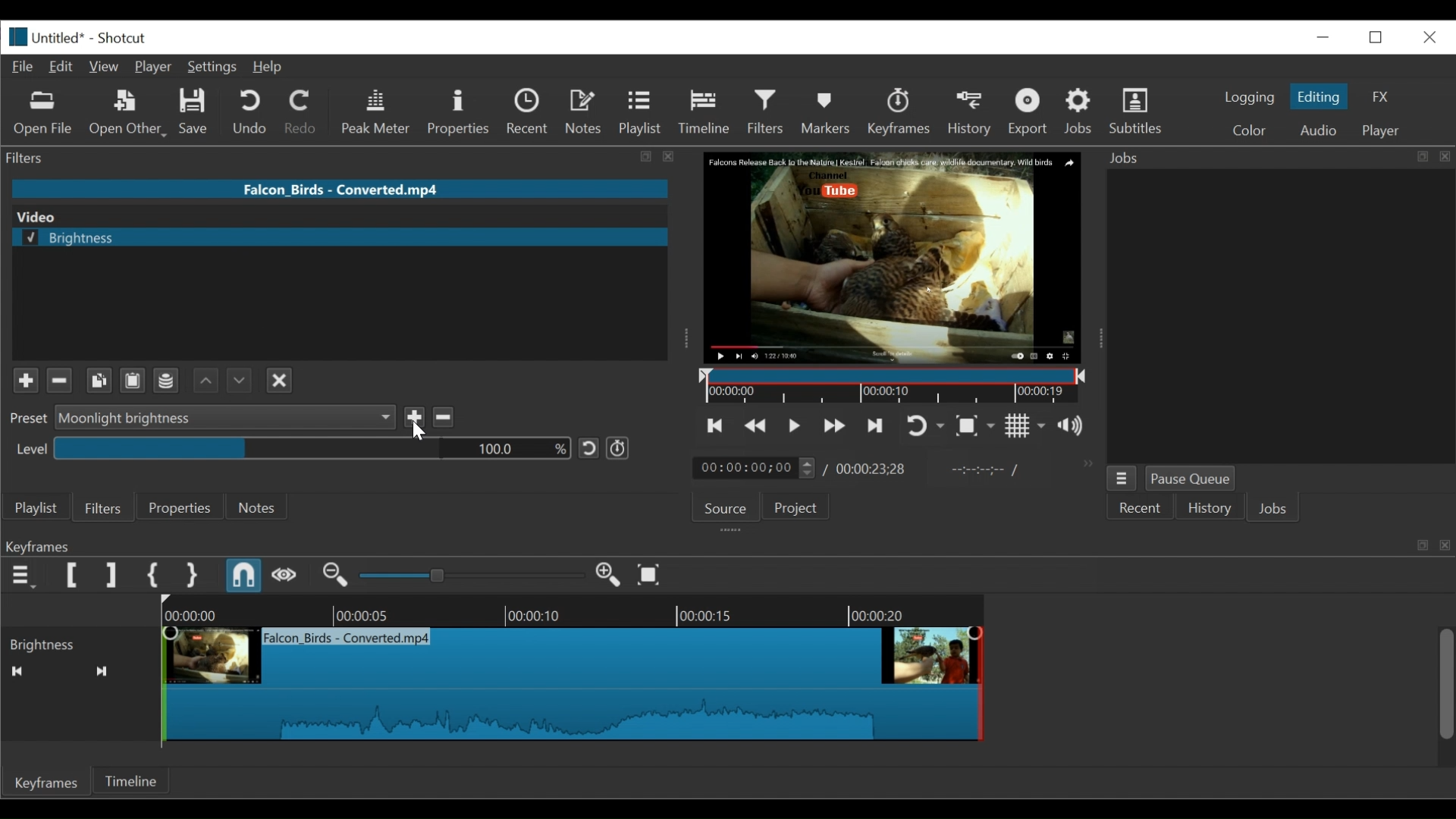 The height and width of the screenshot is (819, 1456). Describe the element at coordinates (1248, 99) in the screenshot. I see `logging` at that location.